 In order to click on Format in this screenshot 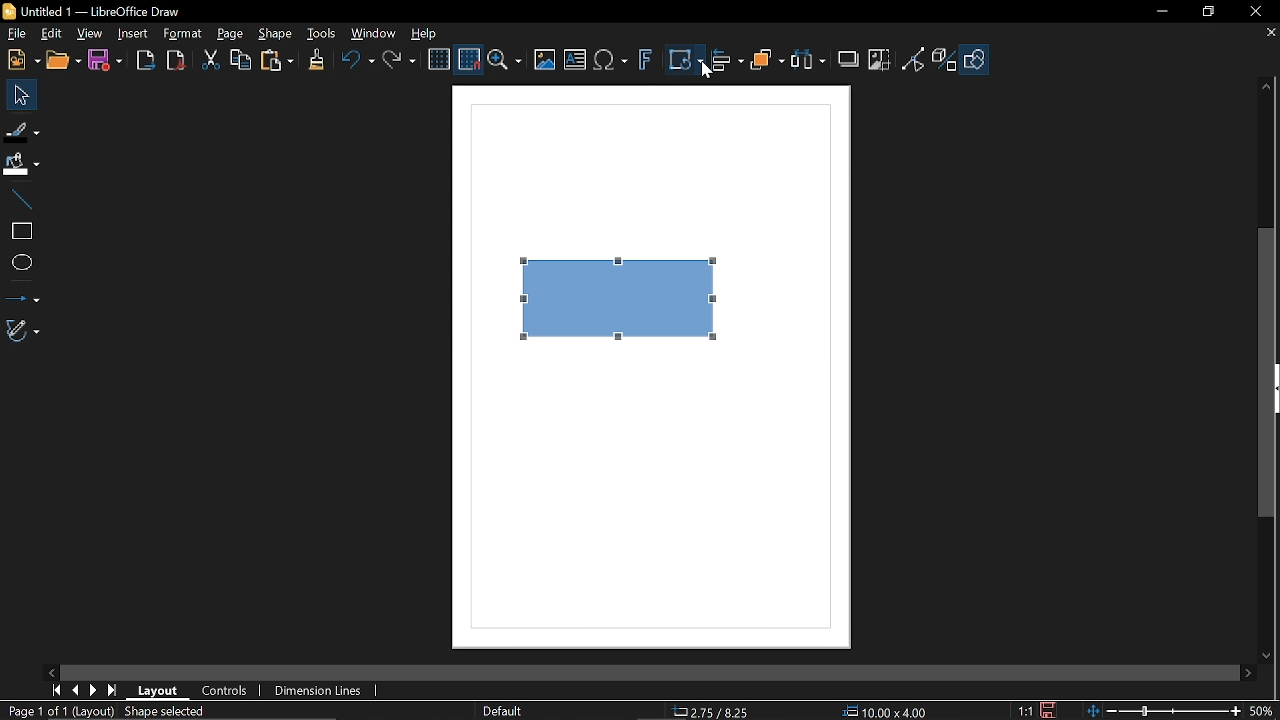, I will do `click(181, 34)`.